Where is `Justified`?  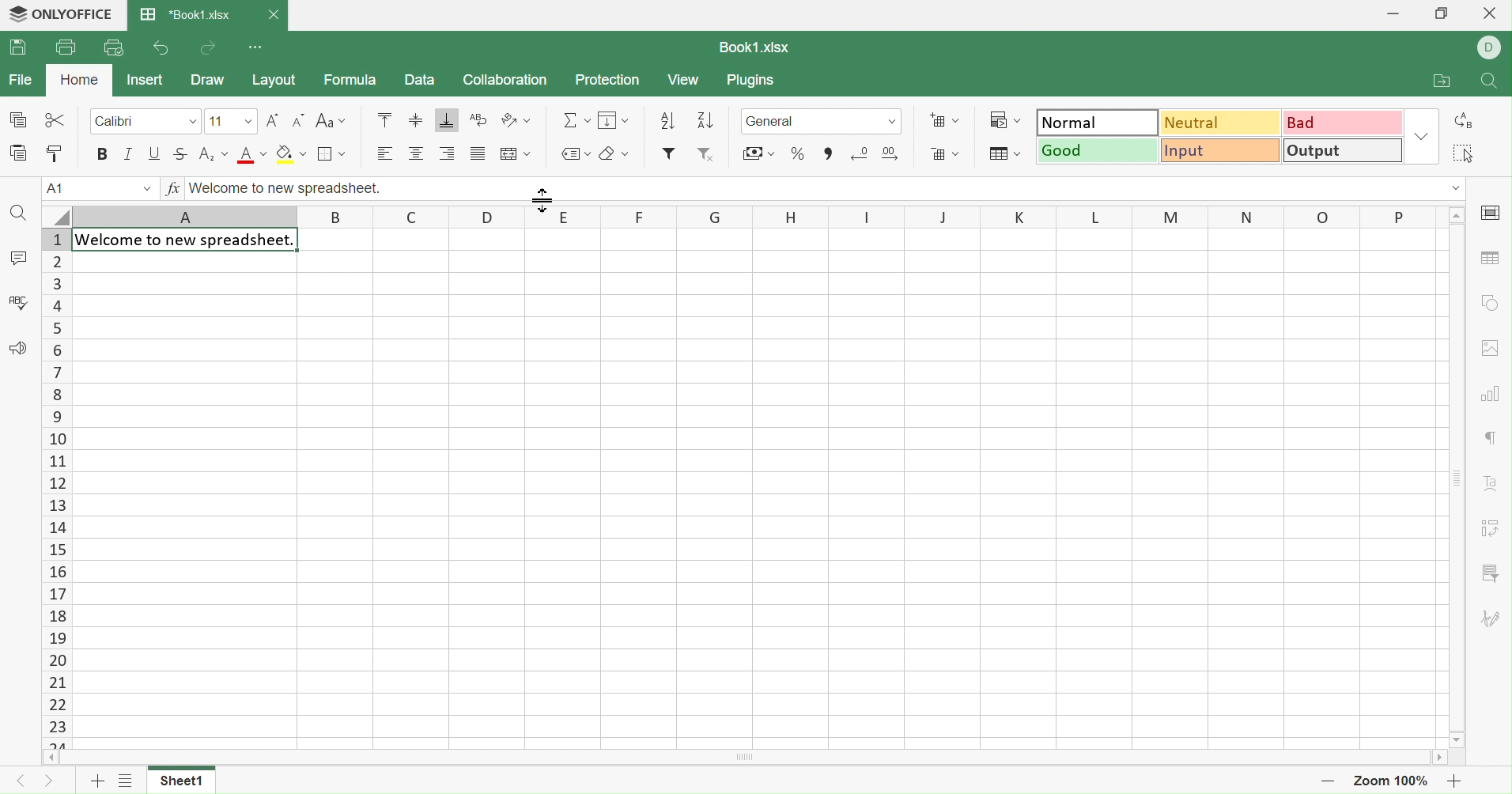
Justified is located at coordinates (478, 155).